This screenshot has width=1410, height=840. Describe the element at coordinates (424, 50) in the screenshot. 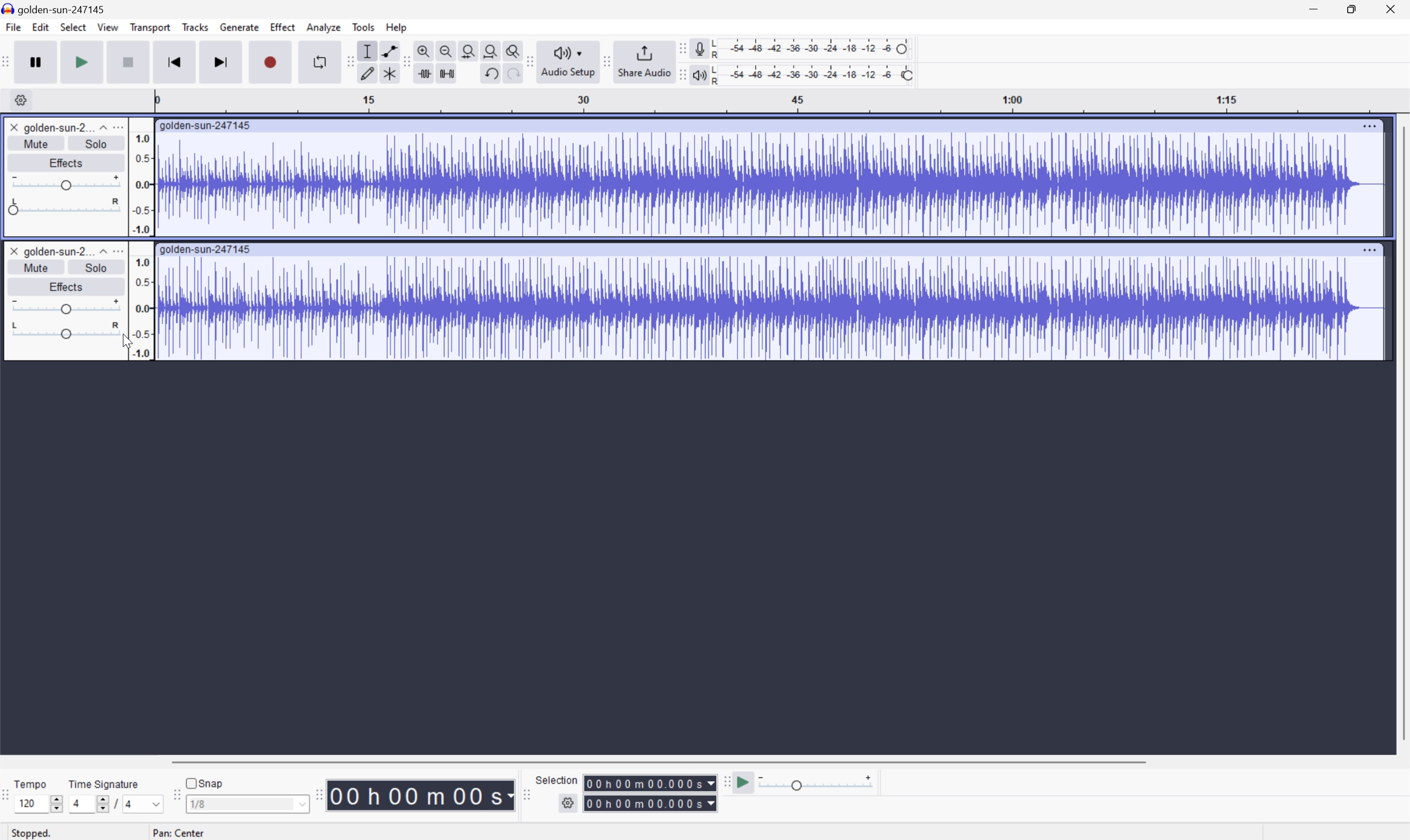

I see `Zoom in` at that location.